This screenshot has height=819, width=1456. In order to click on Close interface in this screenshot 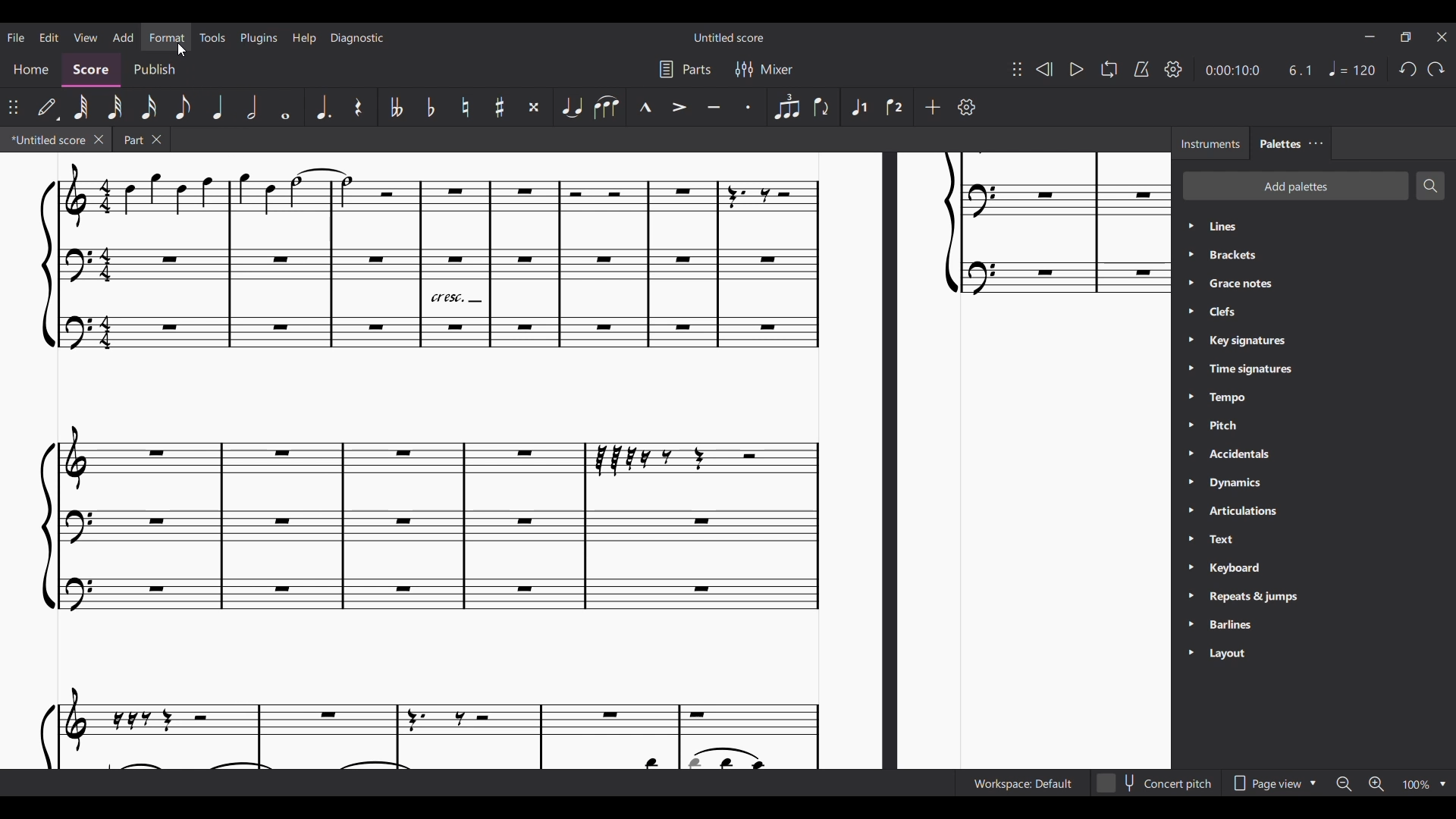, I will do `click(1442, 37)`.